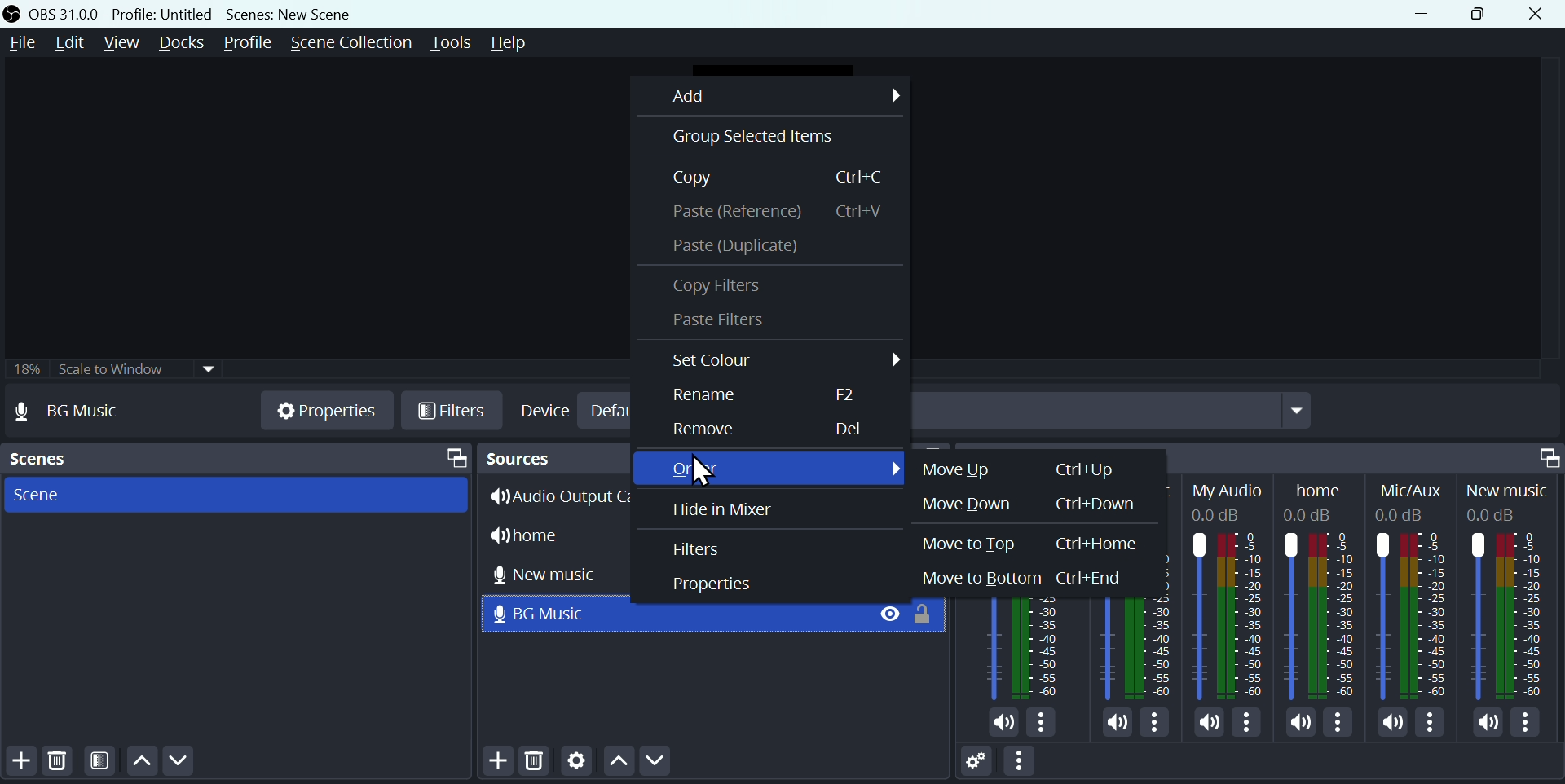  Describe the element at coordinates (76, 44) in the screenshot. I see `Edit` at that location.